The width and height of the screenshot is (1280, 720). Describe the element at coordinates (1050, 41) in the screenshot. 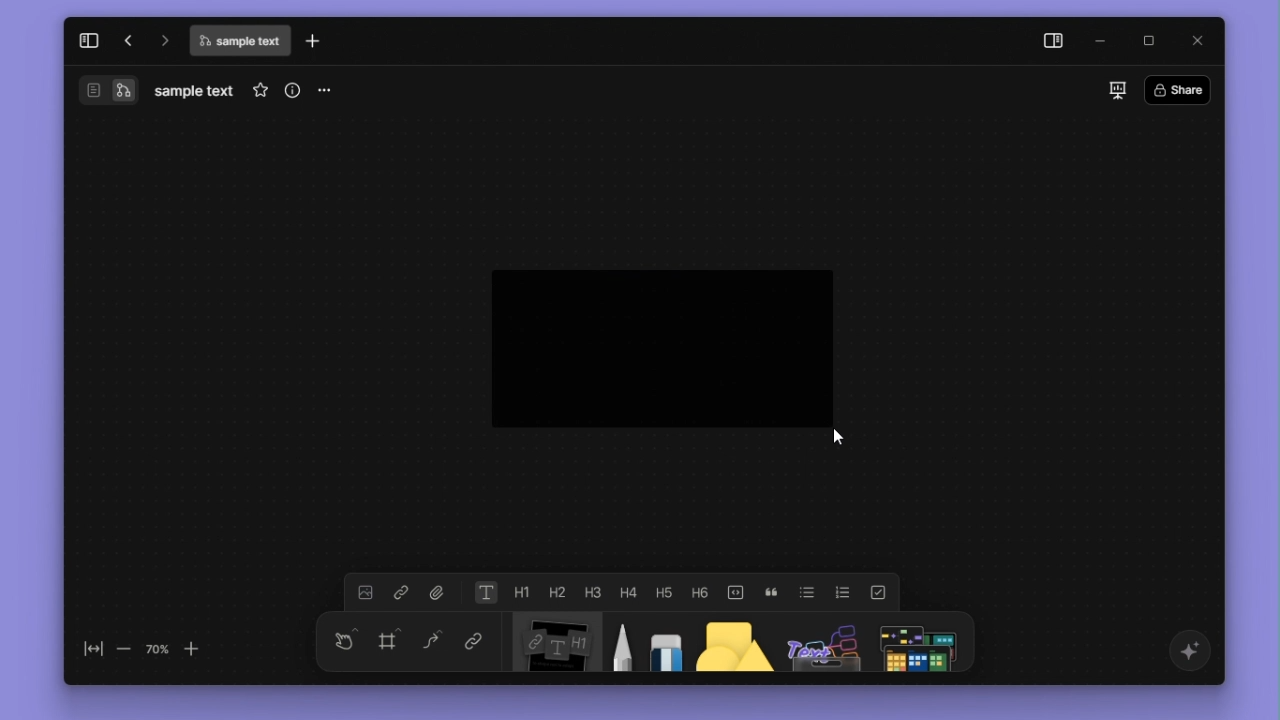

I see `side panel` at that location.